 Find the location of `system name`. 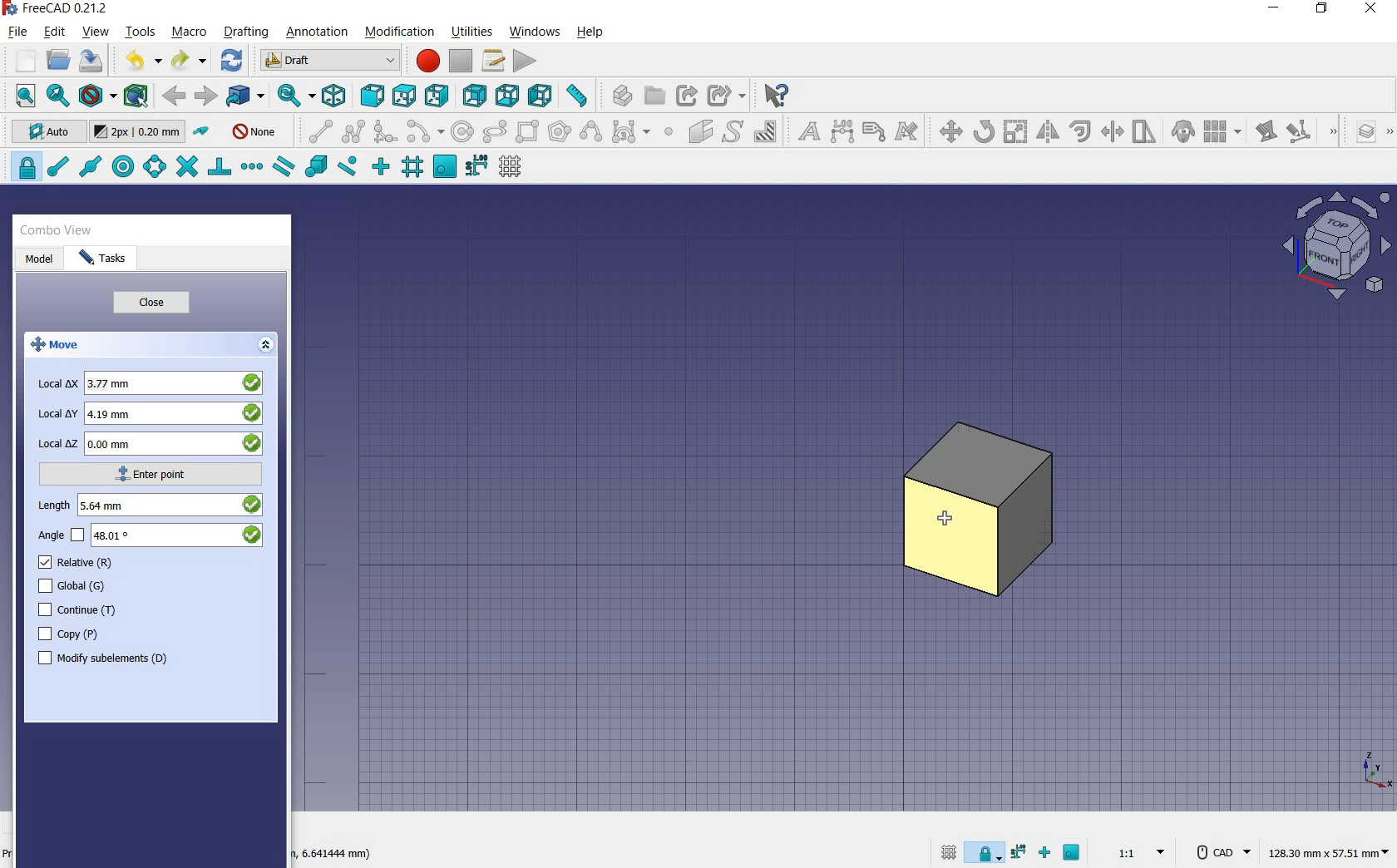

system name is located at coordinates (57, 8).